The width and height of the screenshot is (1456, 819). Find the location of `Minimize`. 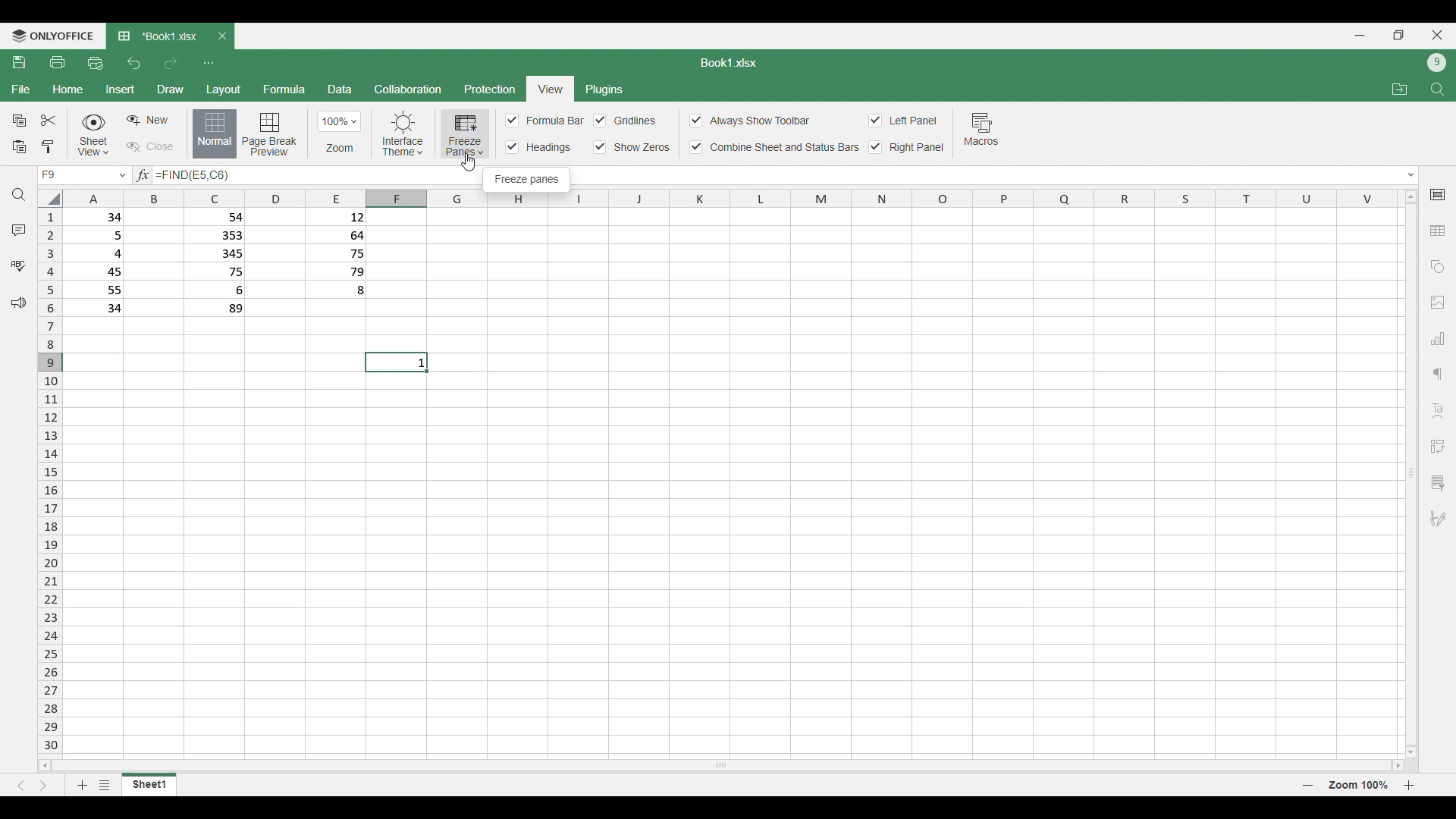

Minimize is located at coordinates (1360, 36).